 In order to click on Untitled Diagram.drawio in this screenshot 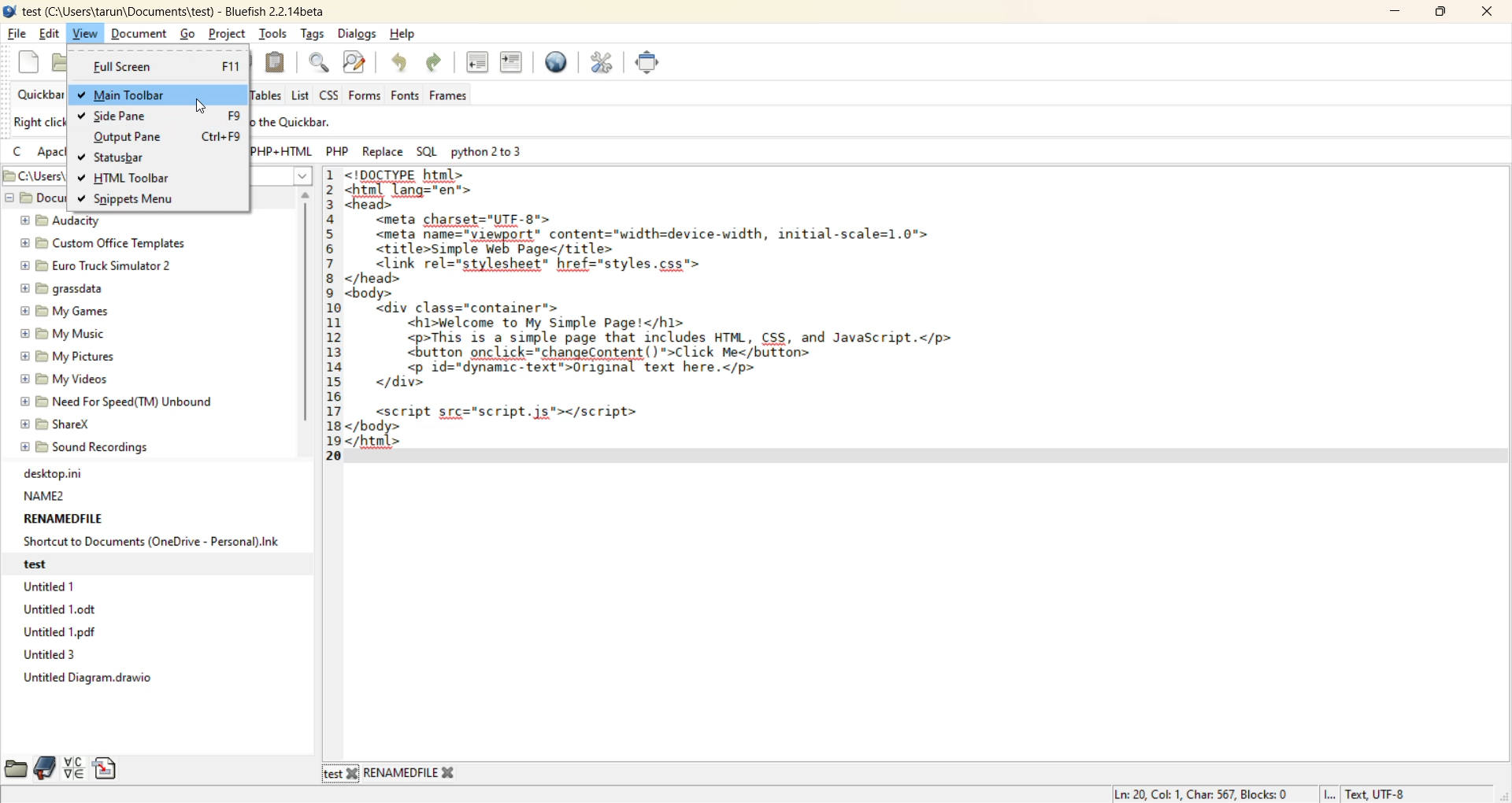, I will do `click(86, 678)`.